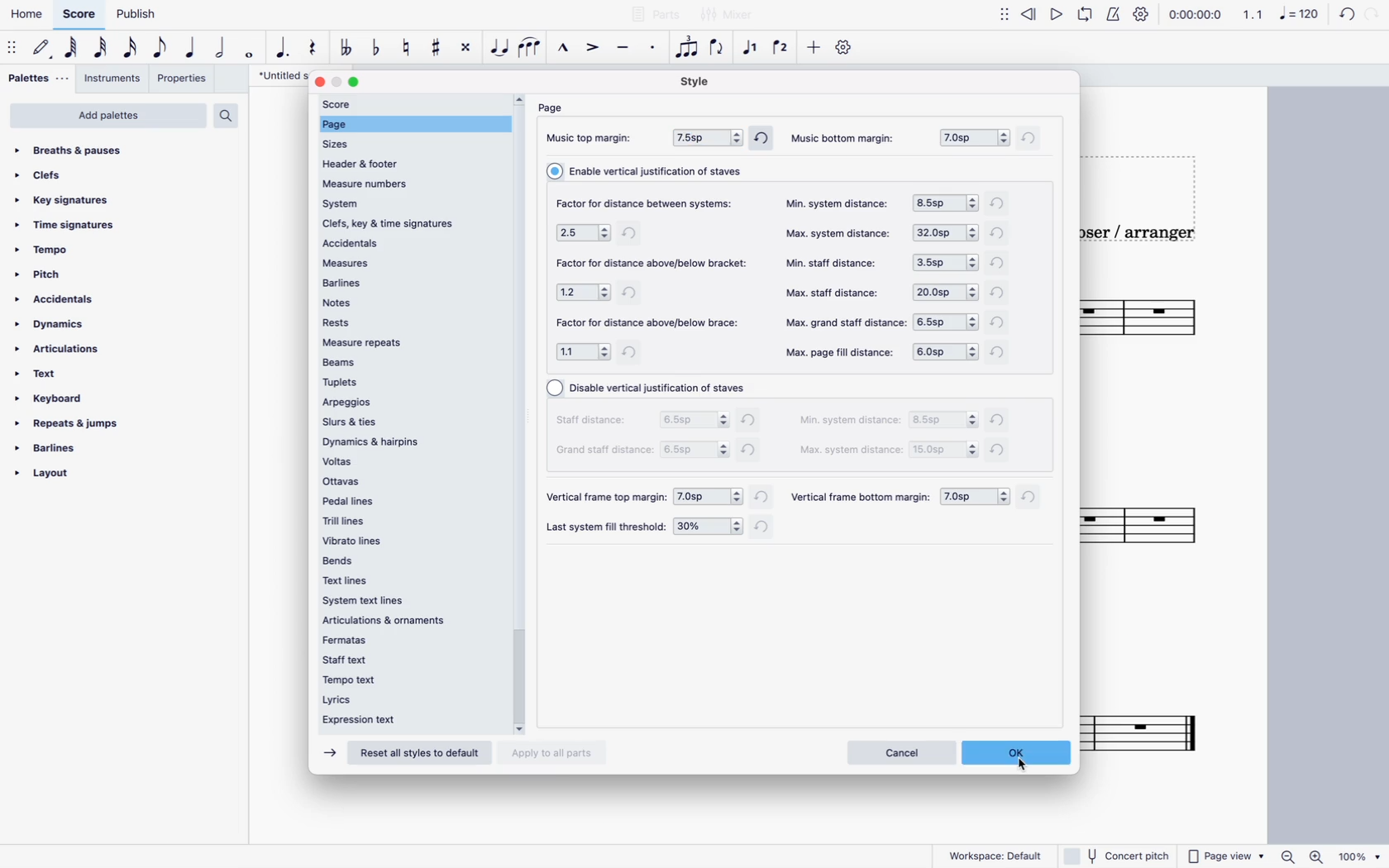 The height and width of the screenshot is (868, 1389). What do you see at coordinates (974, 498) in the screenshot?
I see `options` at bounding box center [974, 498].